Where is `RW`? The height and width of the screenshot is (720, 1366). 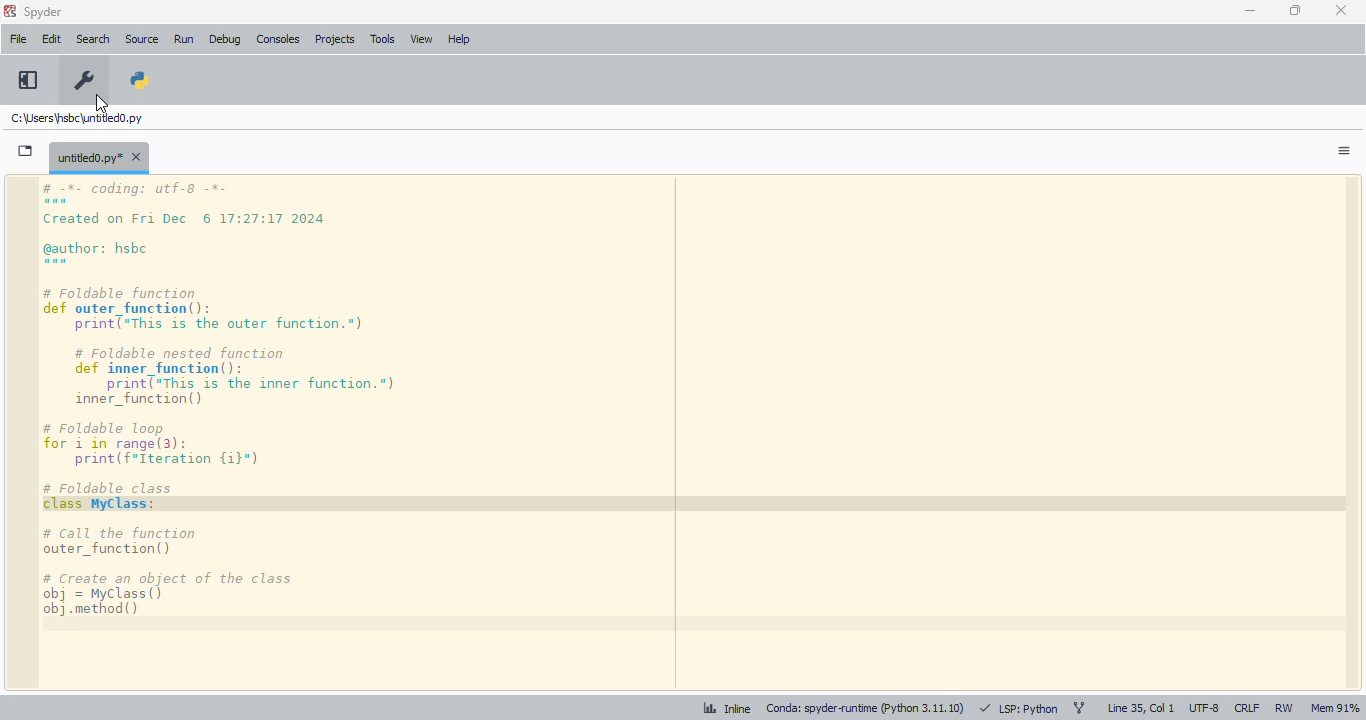 RW is located at coordinates (1283, 708).